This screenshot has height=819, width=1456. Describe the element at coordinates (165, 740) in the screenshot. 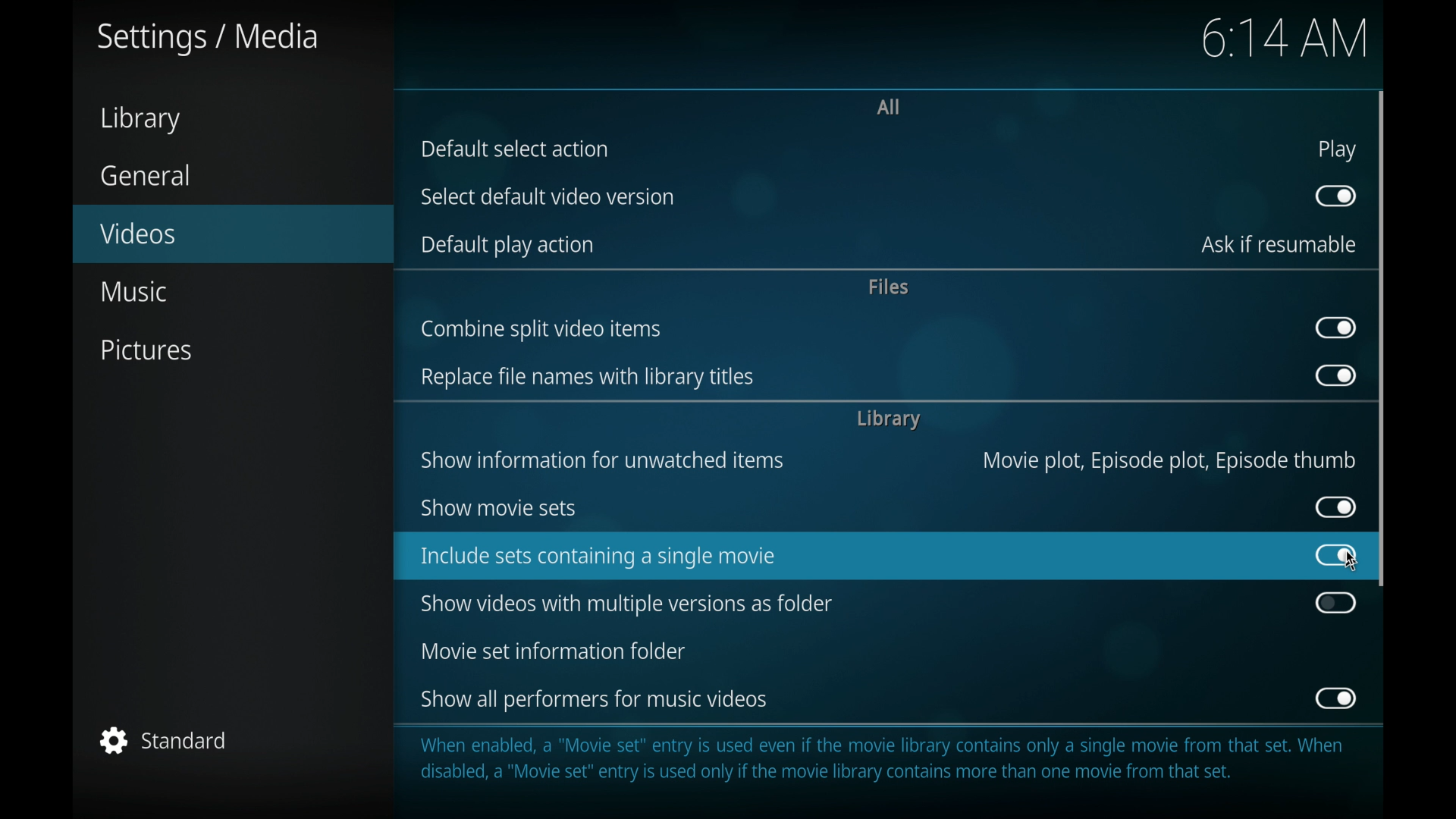

I see `standard` at that location.